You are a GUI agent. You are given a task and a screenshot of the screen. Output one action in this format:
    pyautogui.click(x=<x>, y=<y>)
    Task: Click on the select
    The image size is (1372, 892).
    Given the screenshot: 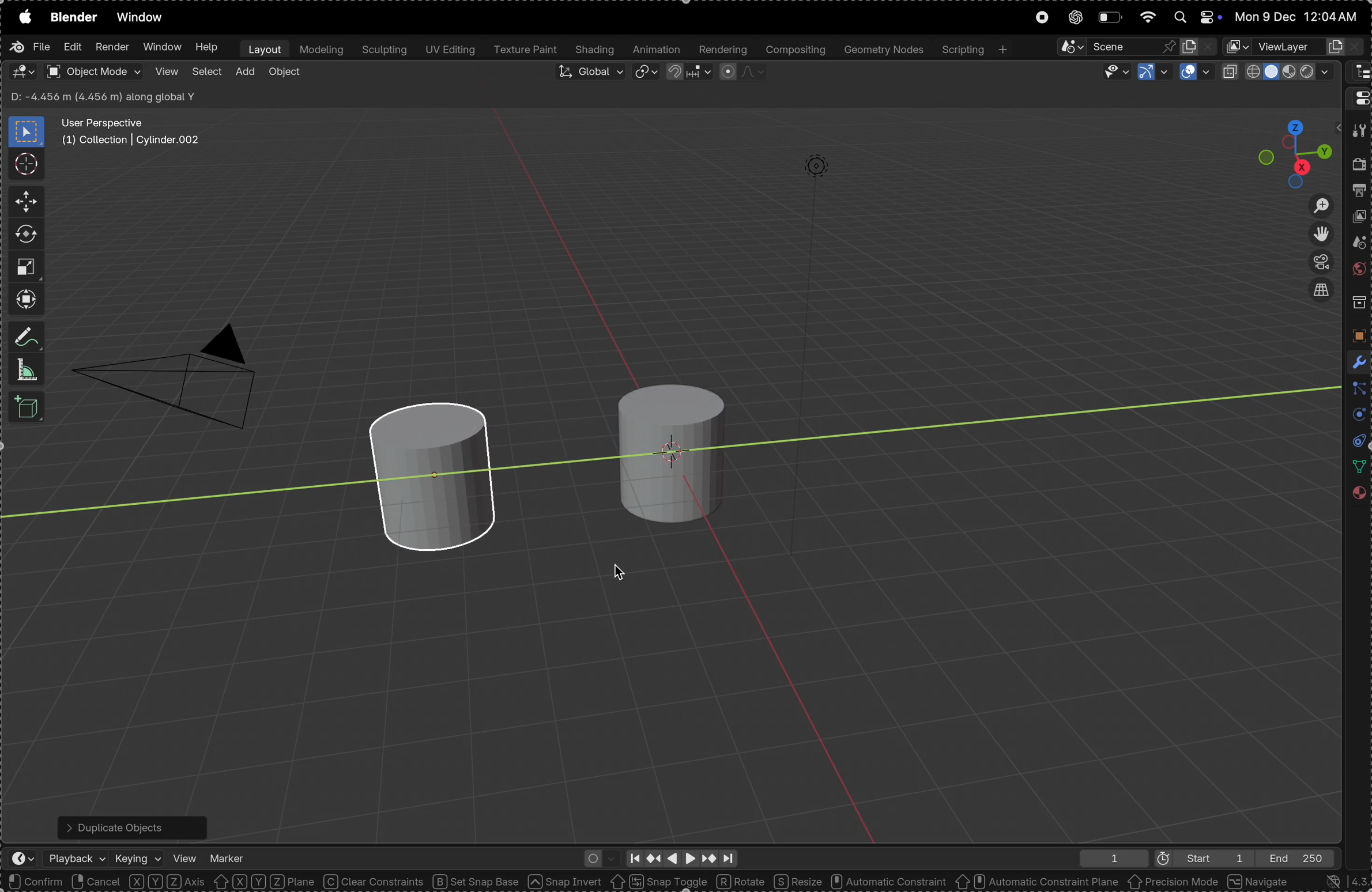 What is the action you would take?
    pyautogui.click(x=206, y=74)
    